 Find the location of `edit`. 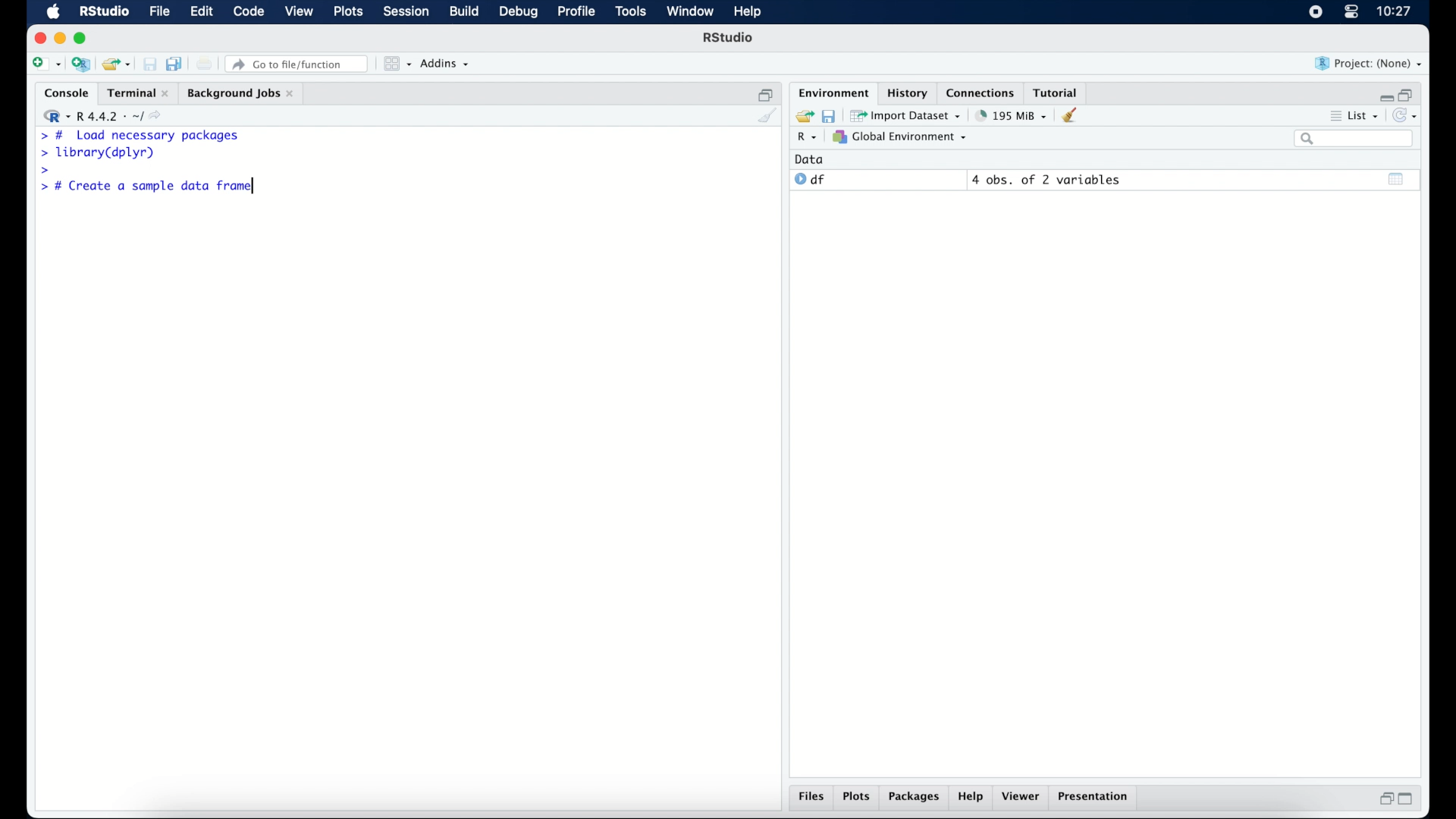

edit is located at coordinates (200, 12).